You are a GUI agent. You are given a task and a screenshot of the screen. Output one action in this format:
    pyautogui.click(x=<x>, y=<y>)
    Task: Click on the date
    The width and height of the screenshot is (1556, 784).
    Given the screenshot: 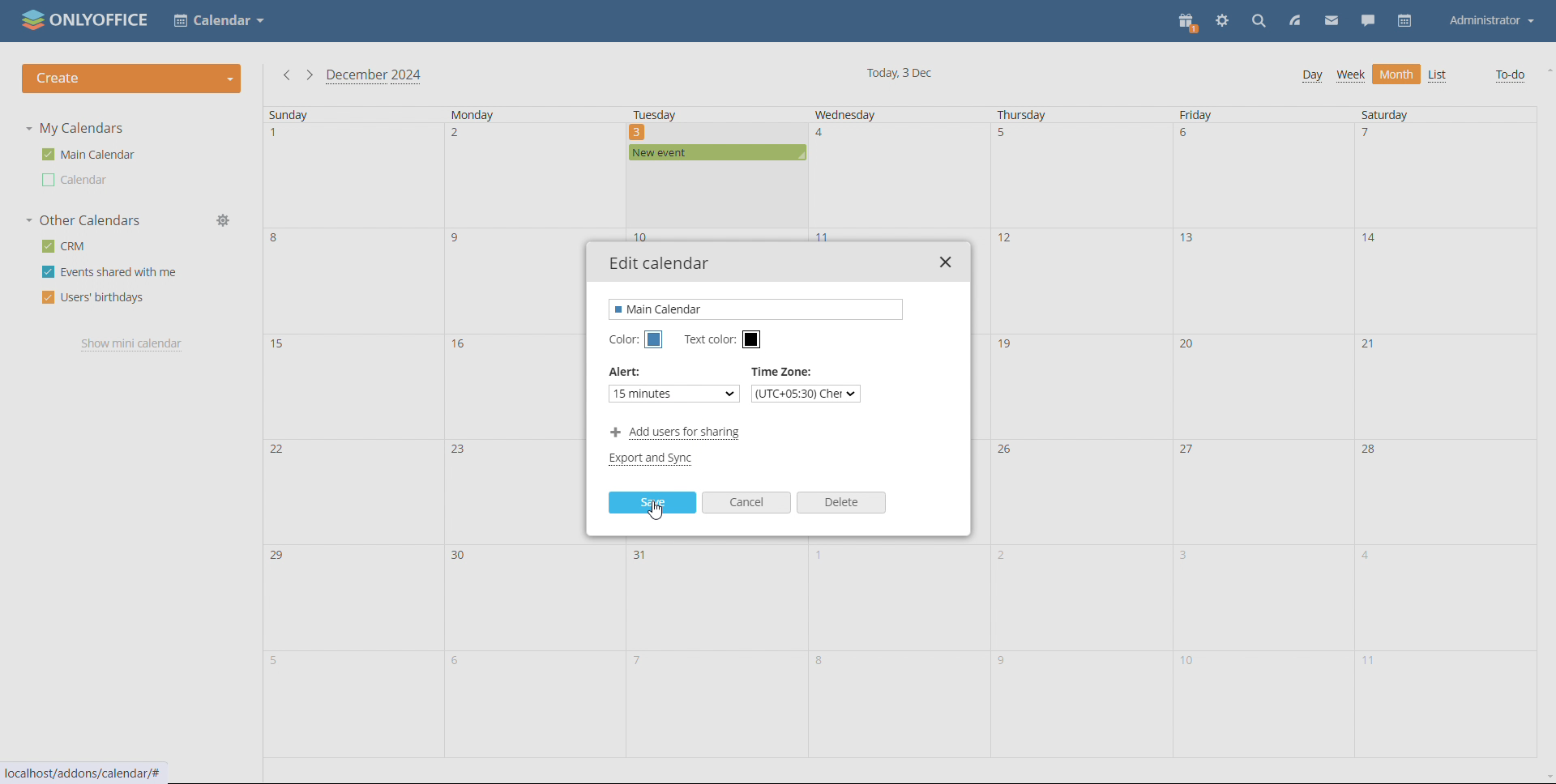 What is the action you would take?
    pyautogui.click(x=718, y=197)
    